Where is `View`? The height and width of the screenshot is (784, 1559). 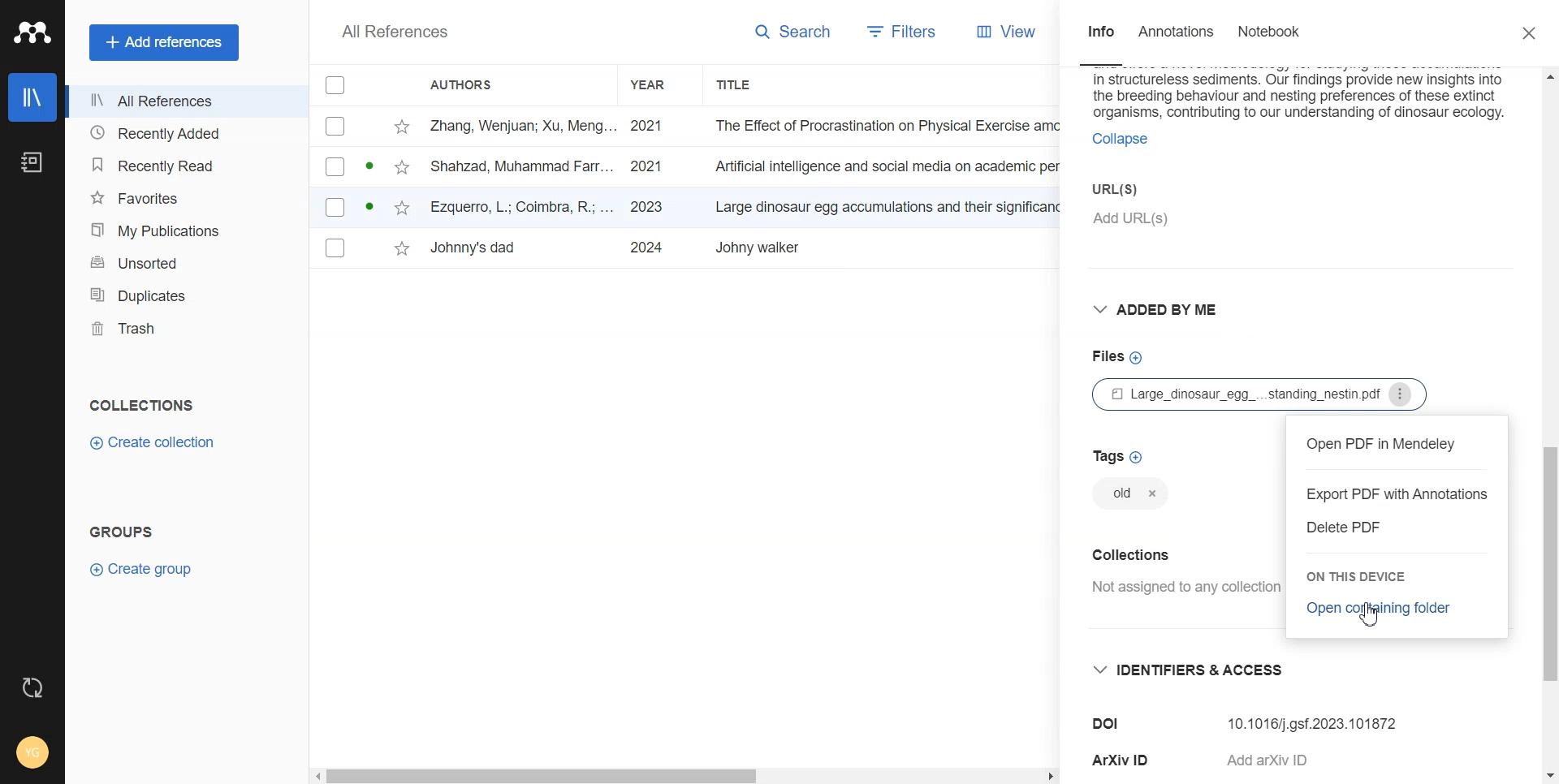 View is located at coordinates (1013, 31).